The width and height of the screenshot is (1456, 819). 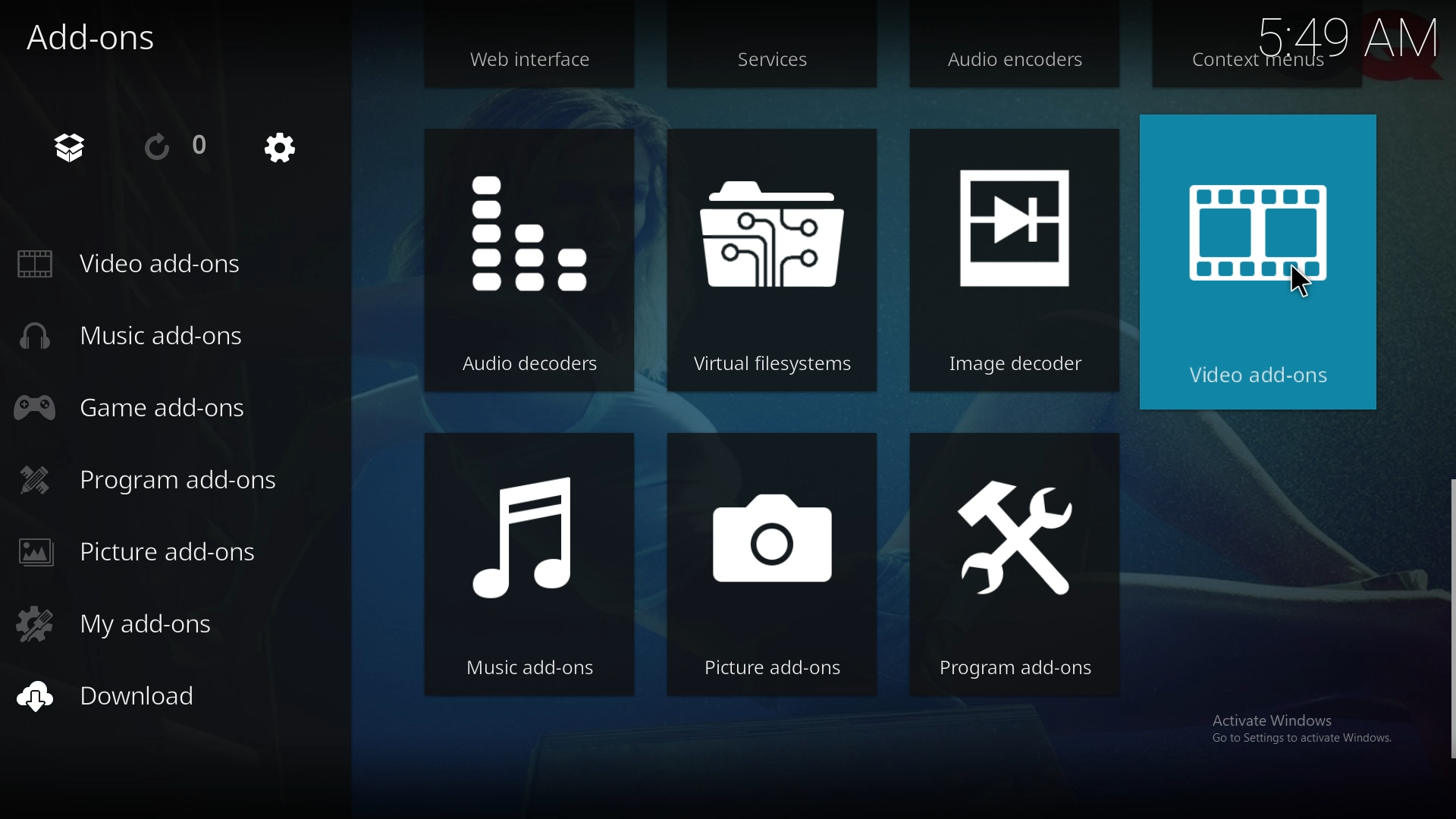 I want to click on program add ons, so click(x=1018, y=566).